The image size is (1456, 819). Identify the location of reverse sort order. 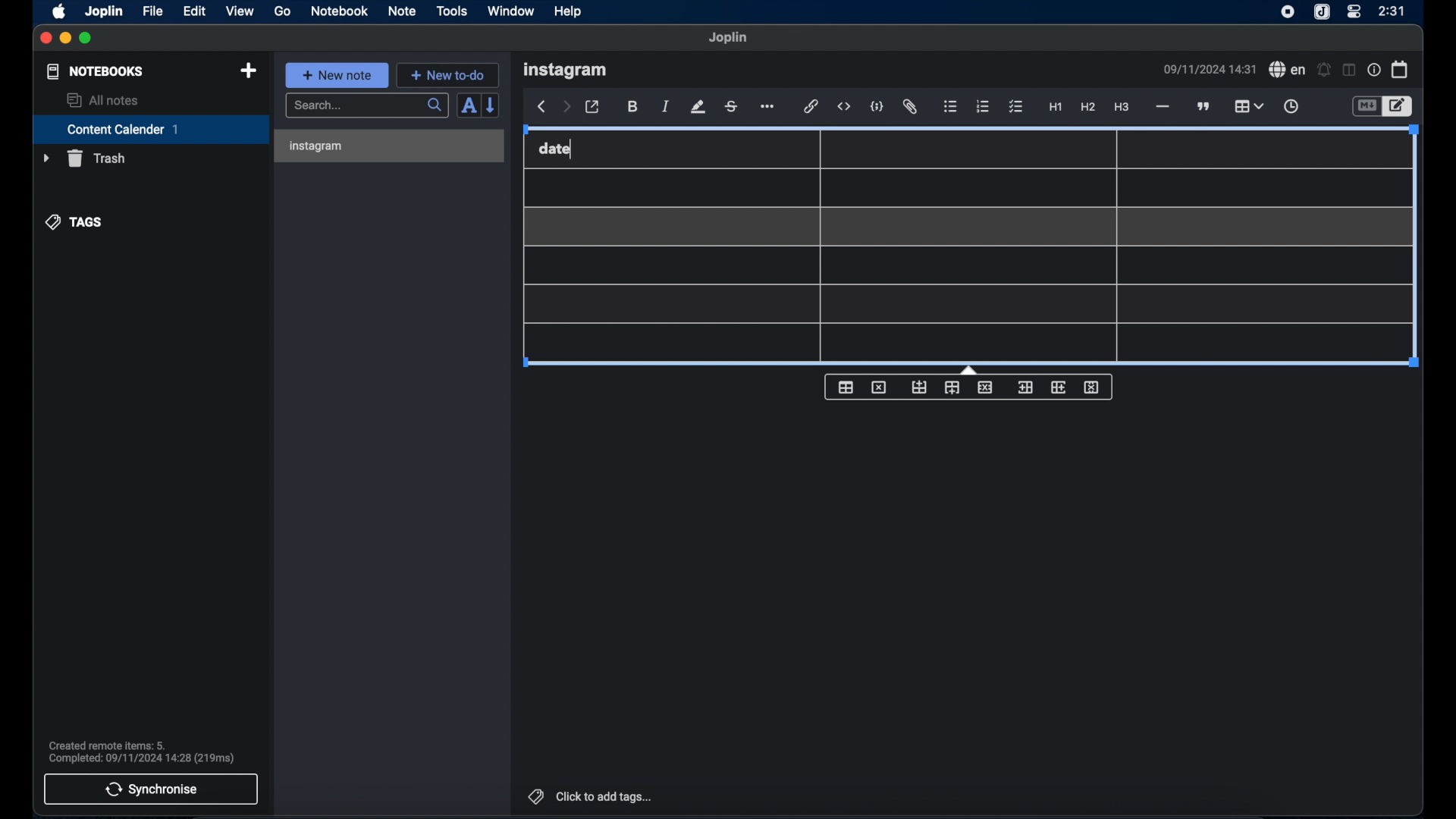
(491, 105).